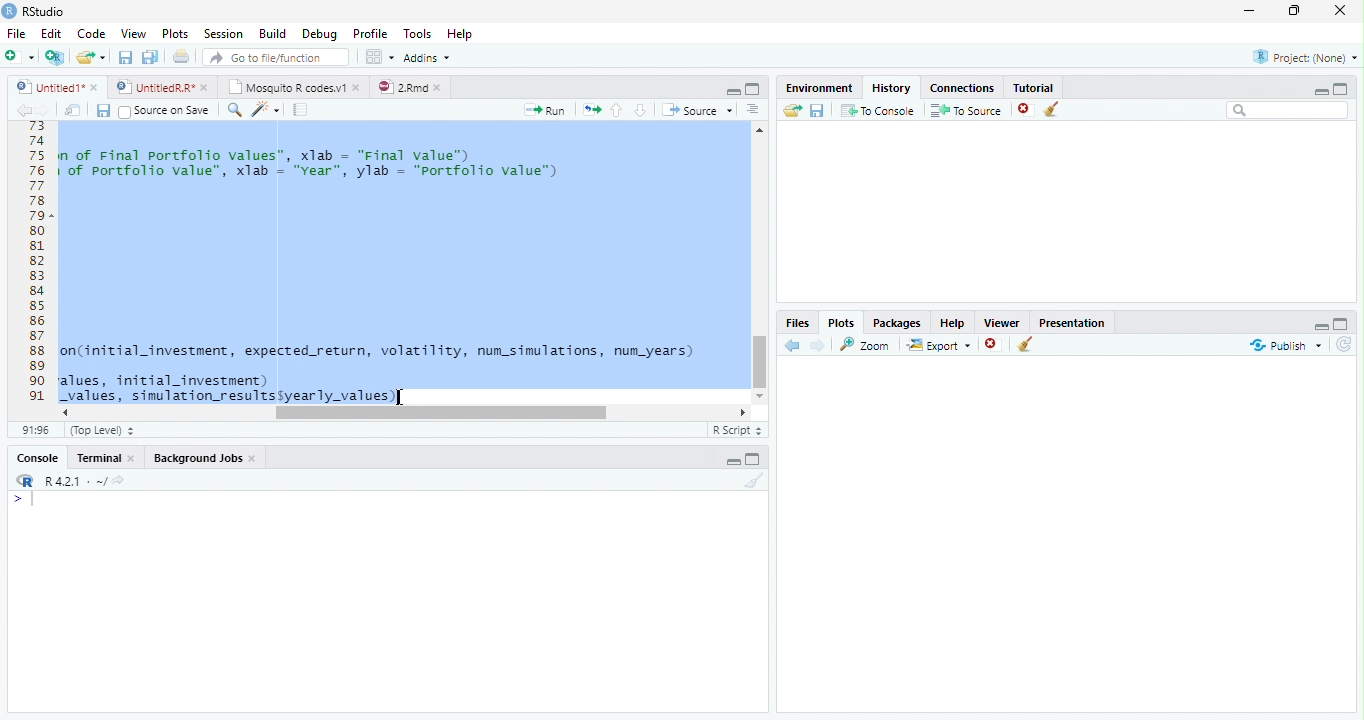 The width and height of the screenshot is (1364, 720). I want to click on Go to previous plot, so click(793, 345).